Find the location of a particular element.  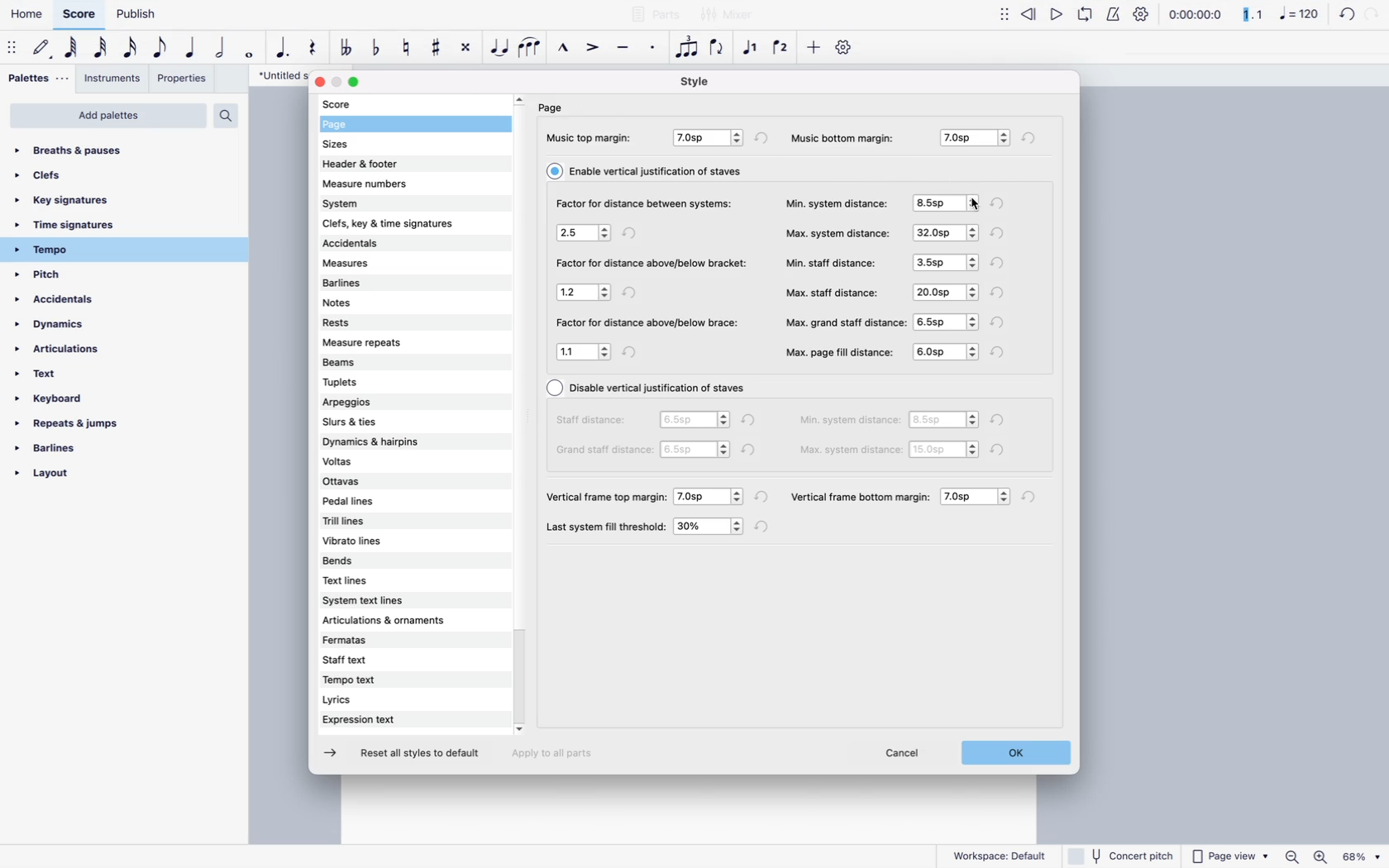

factor for distance is located at coordinates (652, 265).